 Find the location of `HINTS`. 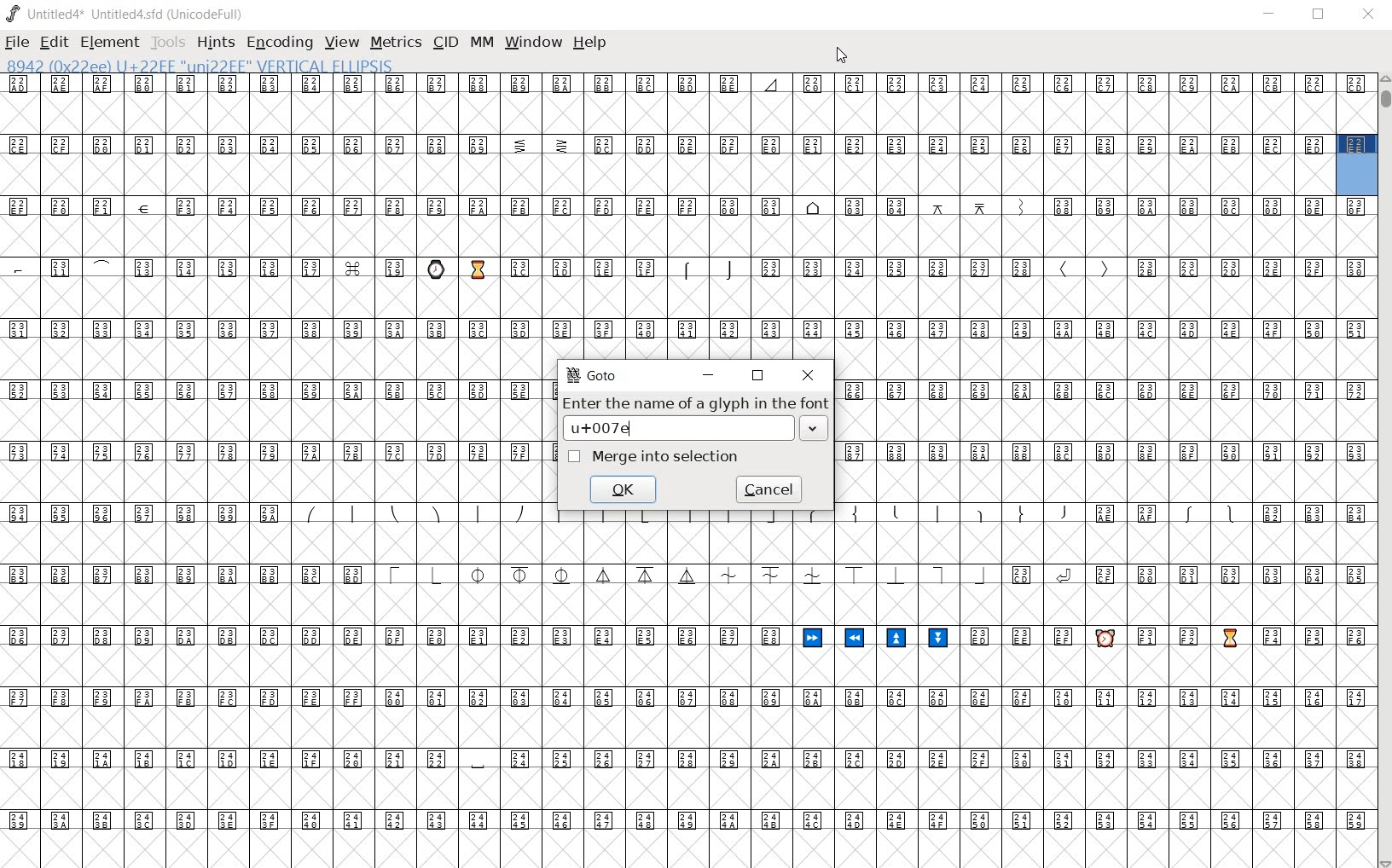

HINTS is located at coordinates (214, 42).